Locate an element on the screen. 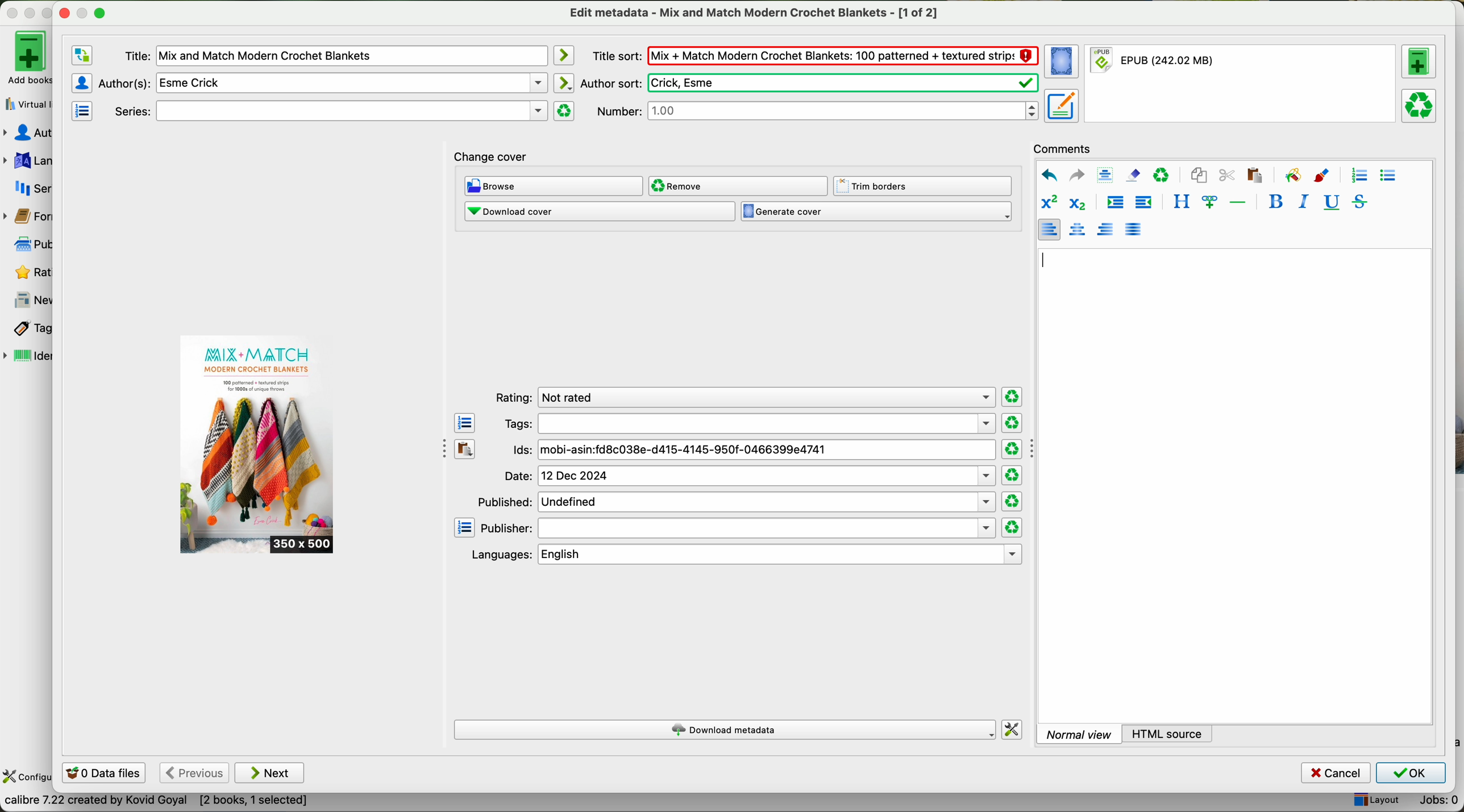  press: command + v is located at coordinates (1061, 260).